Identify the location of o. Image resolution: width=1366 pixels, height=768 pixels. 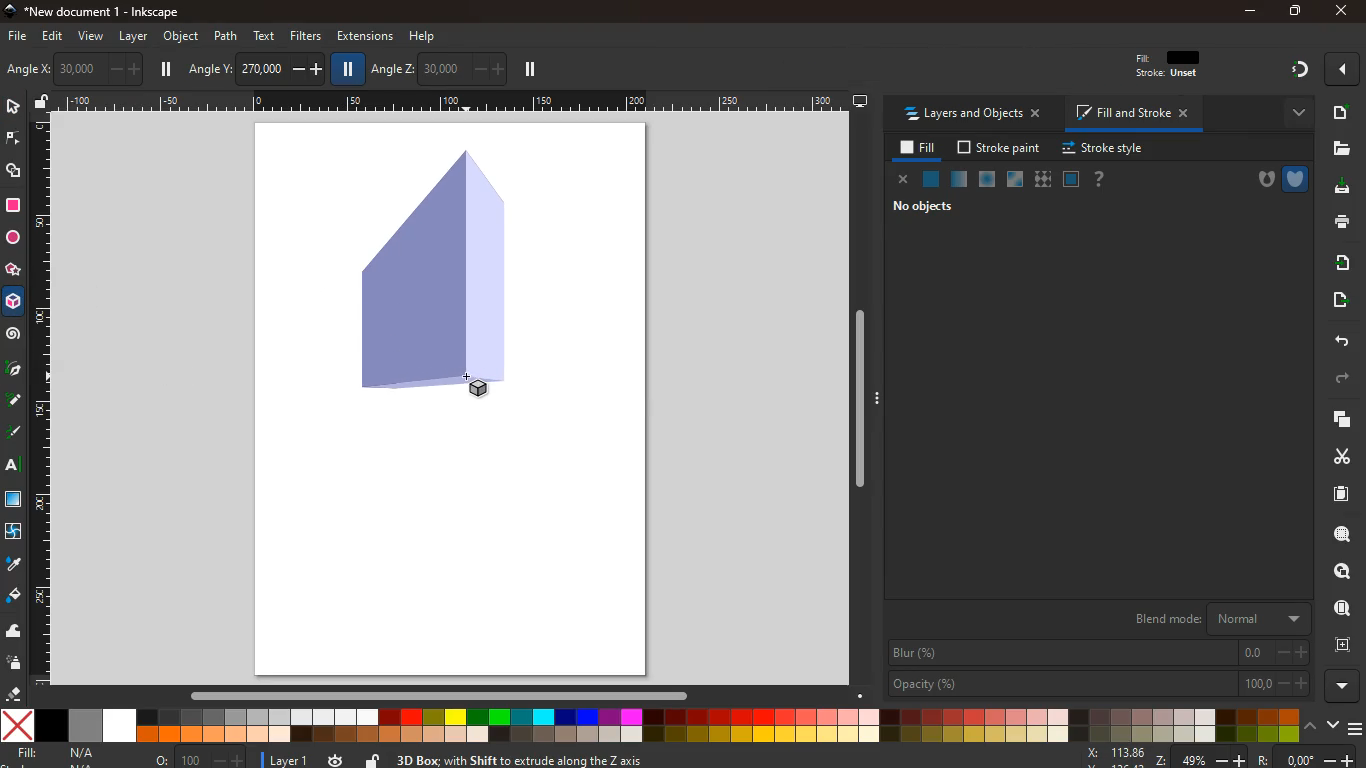
(196, 758).